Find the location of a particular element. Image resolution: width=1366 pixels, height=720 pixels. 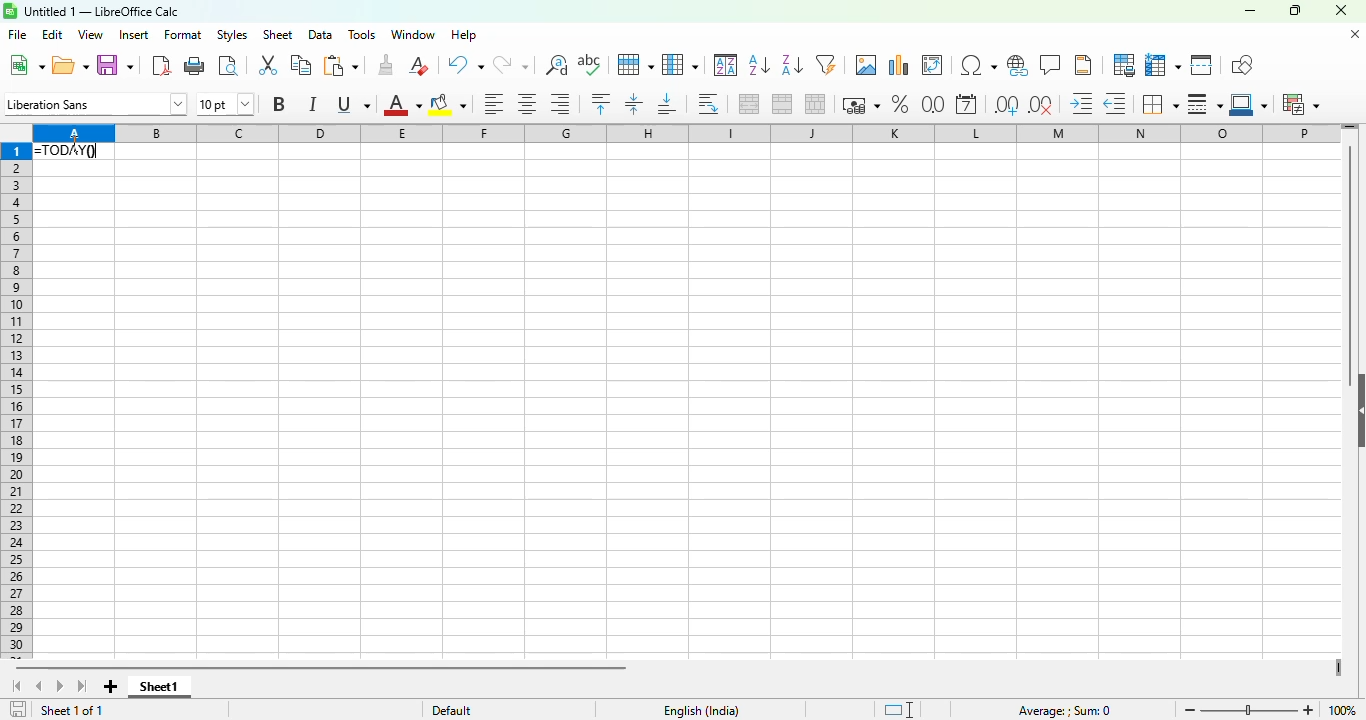

zoom out is located at coordinates (1191, 710).